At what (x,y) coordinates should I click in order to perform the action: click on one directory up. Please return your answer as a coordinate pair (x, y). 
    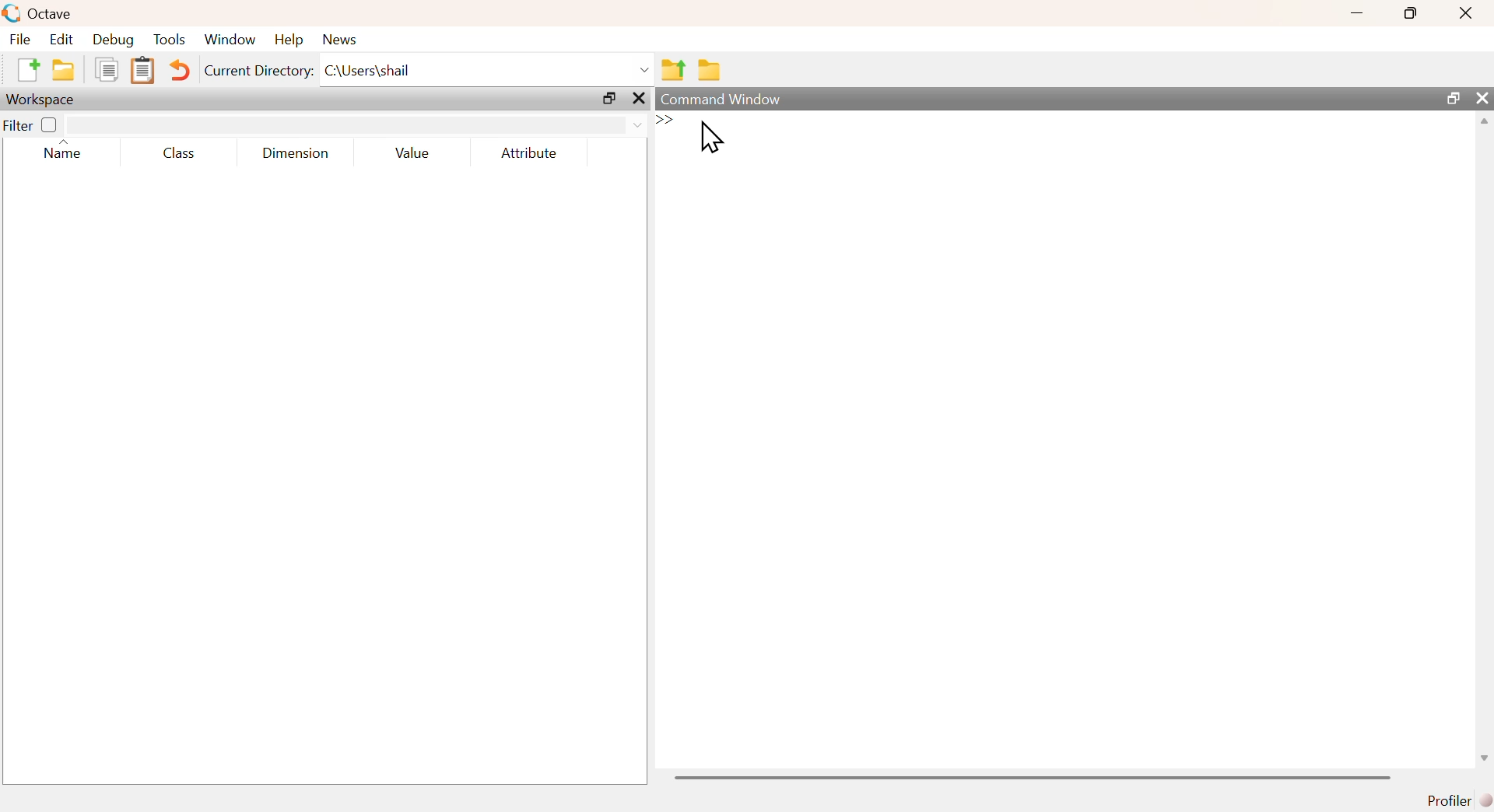
    Looking at the image, I should click on (673, 70).